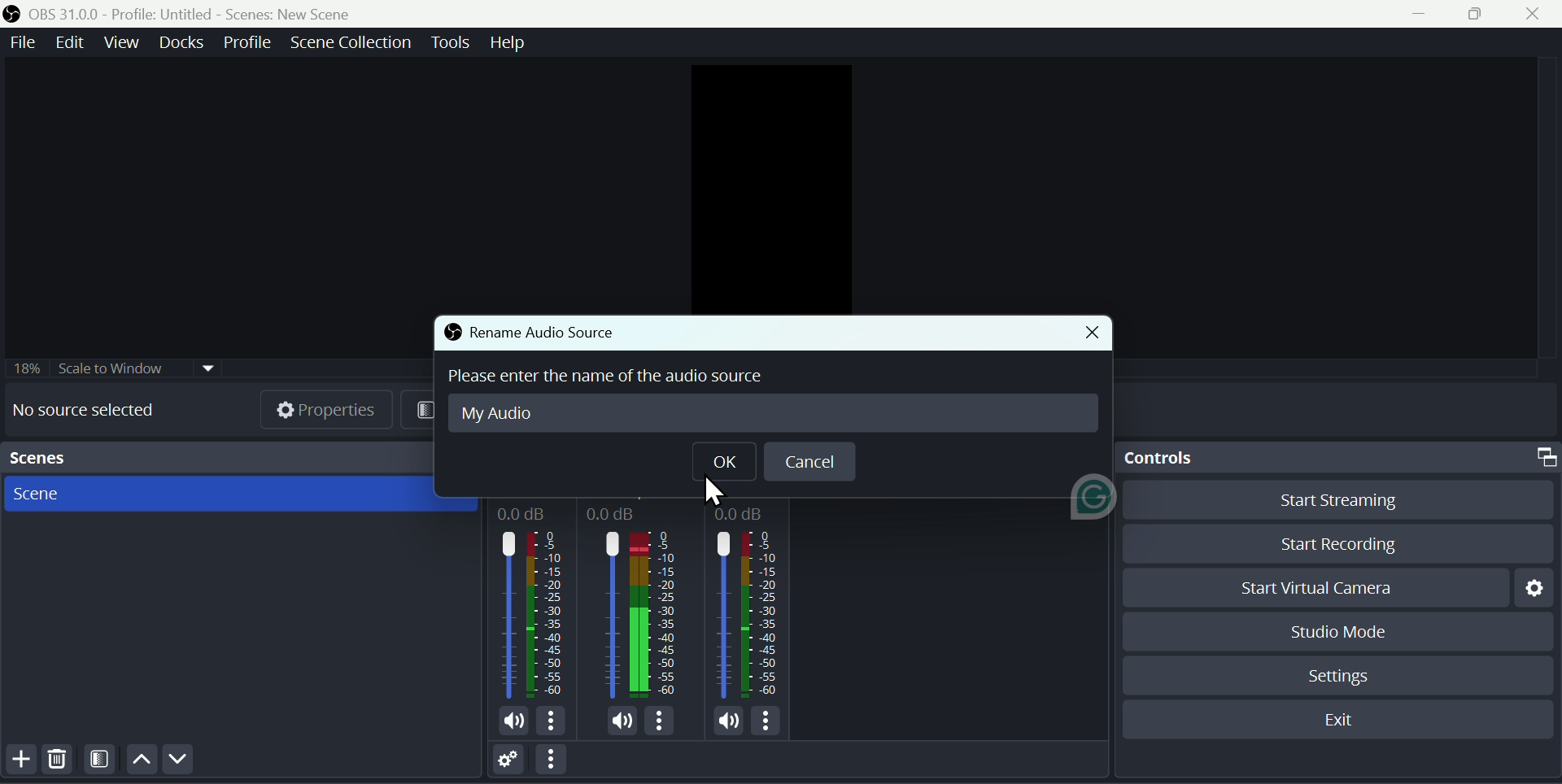  Describe the element at coordinates (528, 332) in the screenshot. I see `Rename audio source` at that location.